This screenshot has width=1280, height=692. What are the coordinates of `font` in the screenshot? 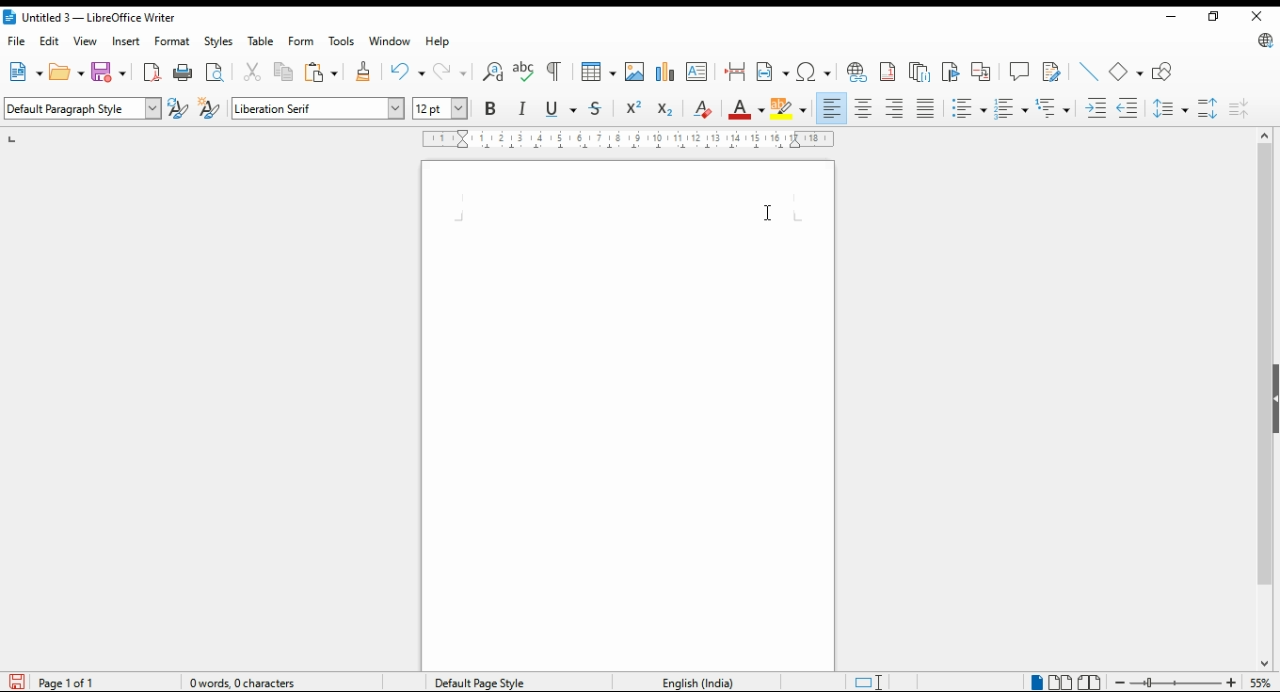 It's located at (318, 109).